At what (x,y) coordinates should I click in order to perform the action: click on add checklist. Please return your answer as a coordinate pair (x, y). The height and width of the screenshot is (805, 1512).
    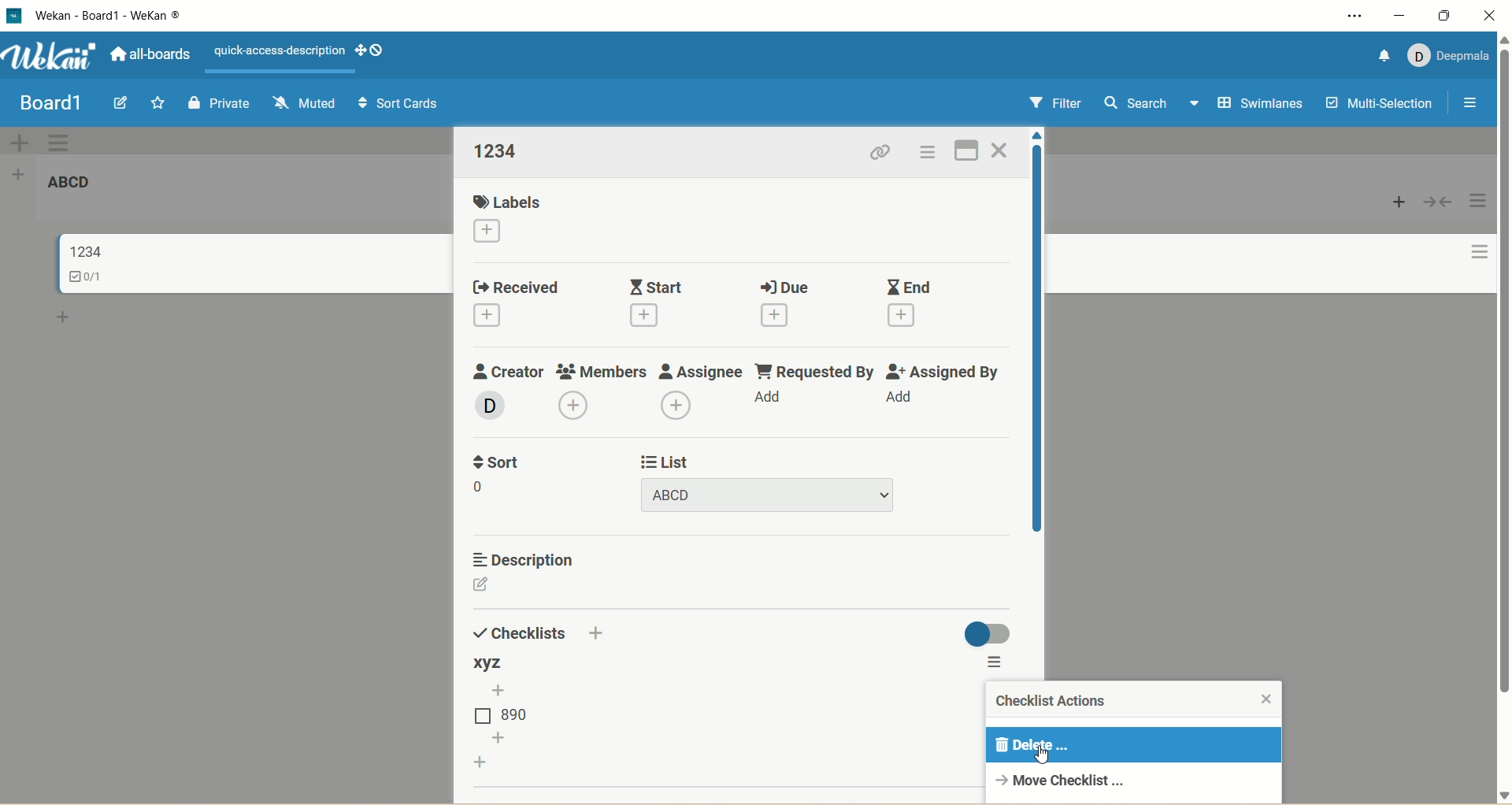
    Looking at the image, I should click on (486, 762).